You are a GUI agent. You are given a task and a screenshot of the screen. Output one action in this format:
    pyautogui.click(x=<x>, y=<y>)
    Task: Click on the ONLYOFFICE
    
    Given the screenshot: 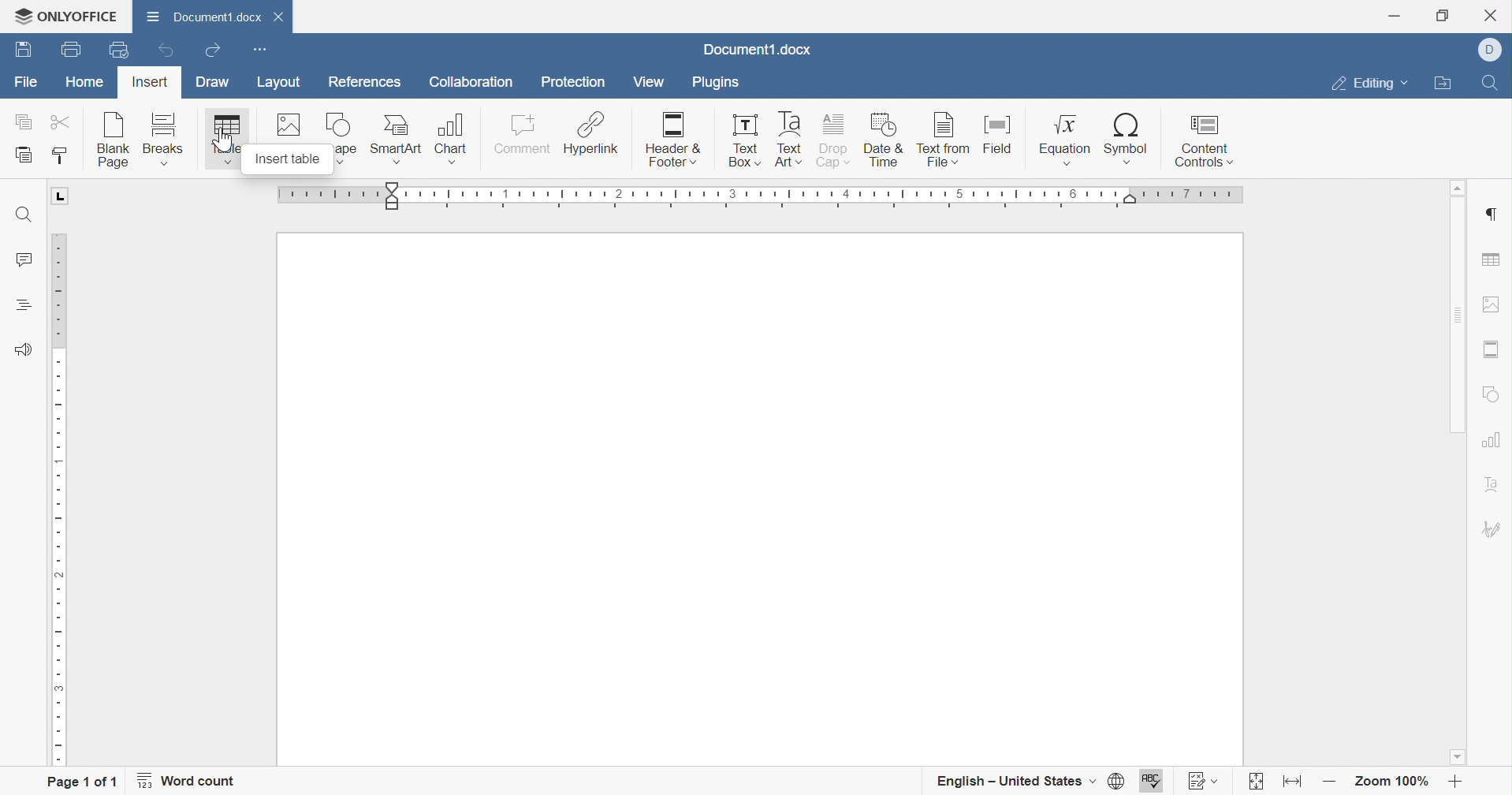 What is the action you would take?
    pyautogui.click(x=72, y=17)
    